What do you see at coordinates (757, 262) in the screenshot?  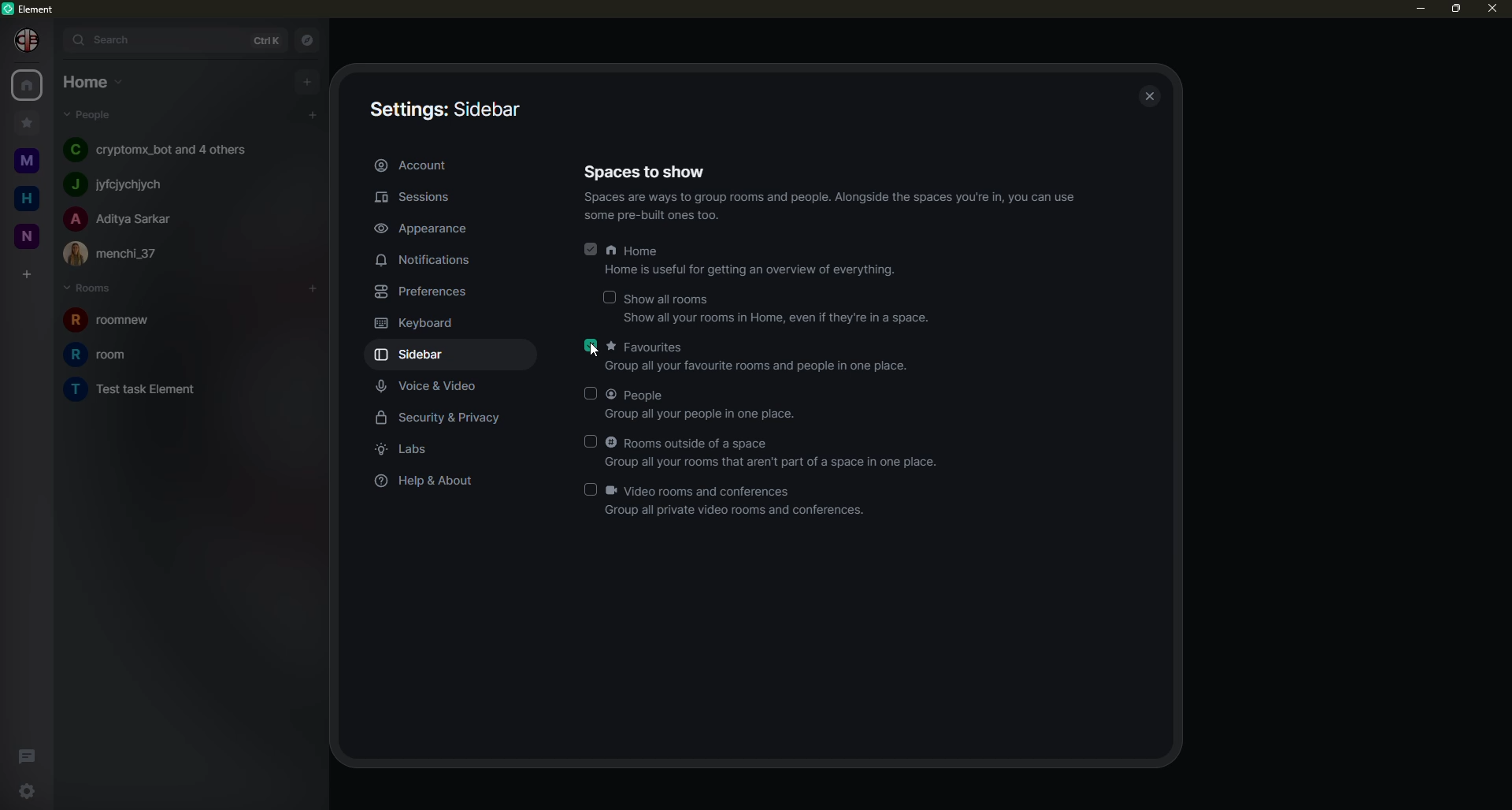 I see `home` at bounding box center [757, 262].